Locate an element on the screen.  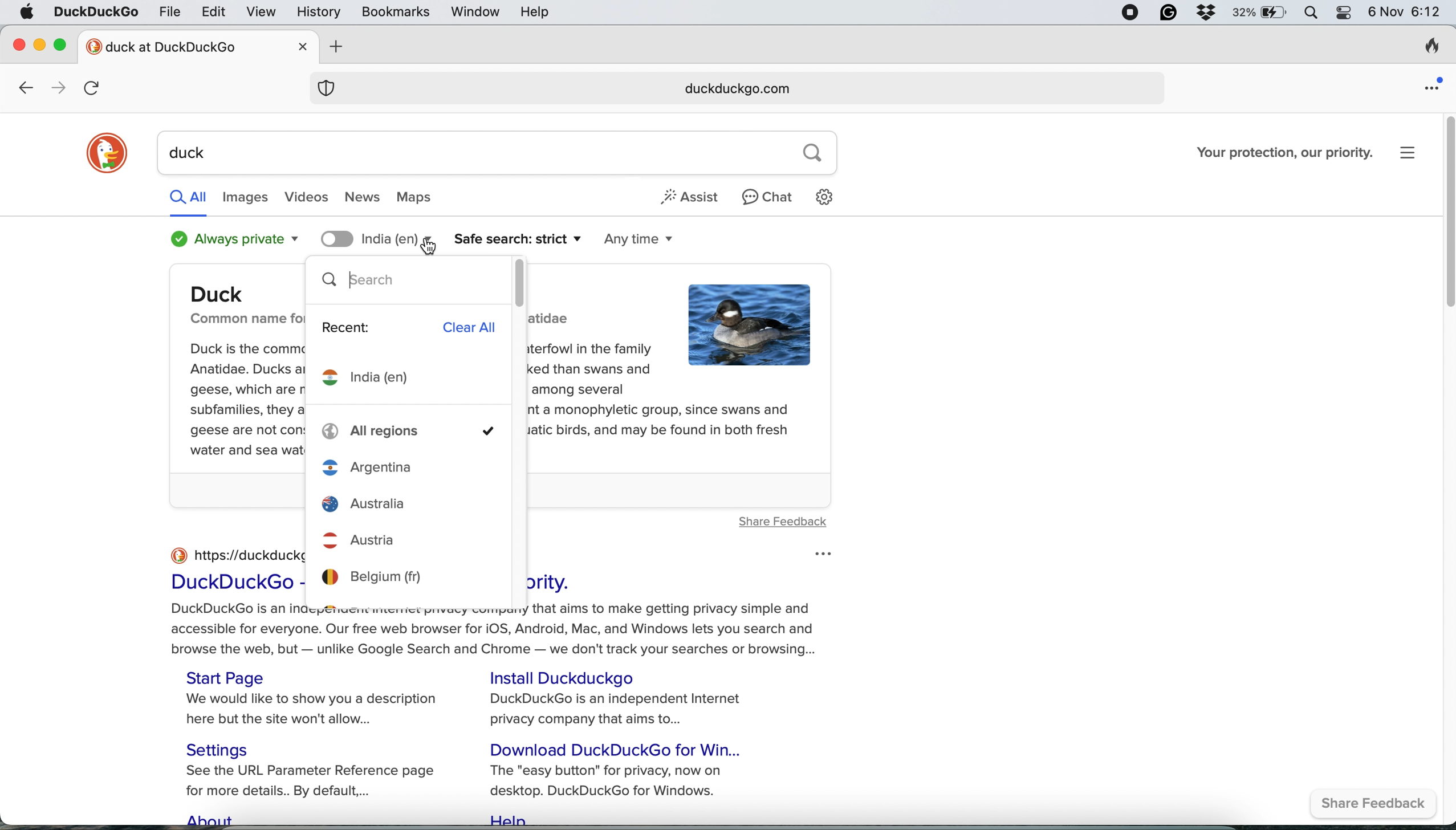
austria is located at coordinates (413, 536).